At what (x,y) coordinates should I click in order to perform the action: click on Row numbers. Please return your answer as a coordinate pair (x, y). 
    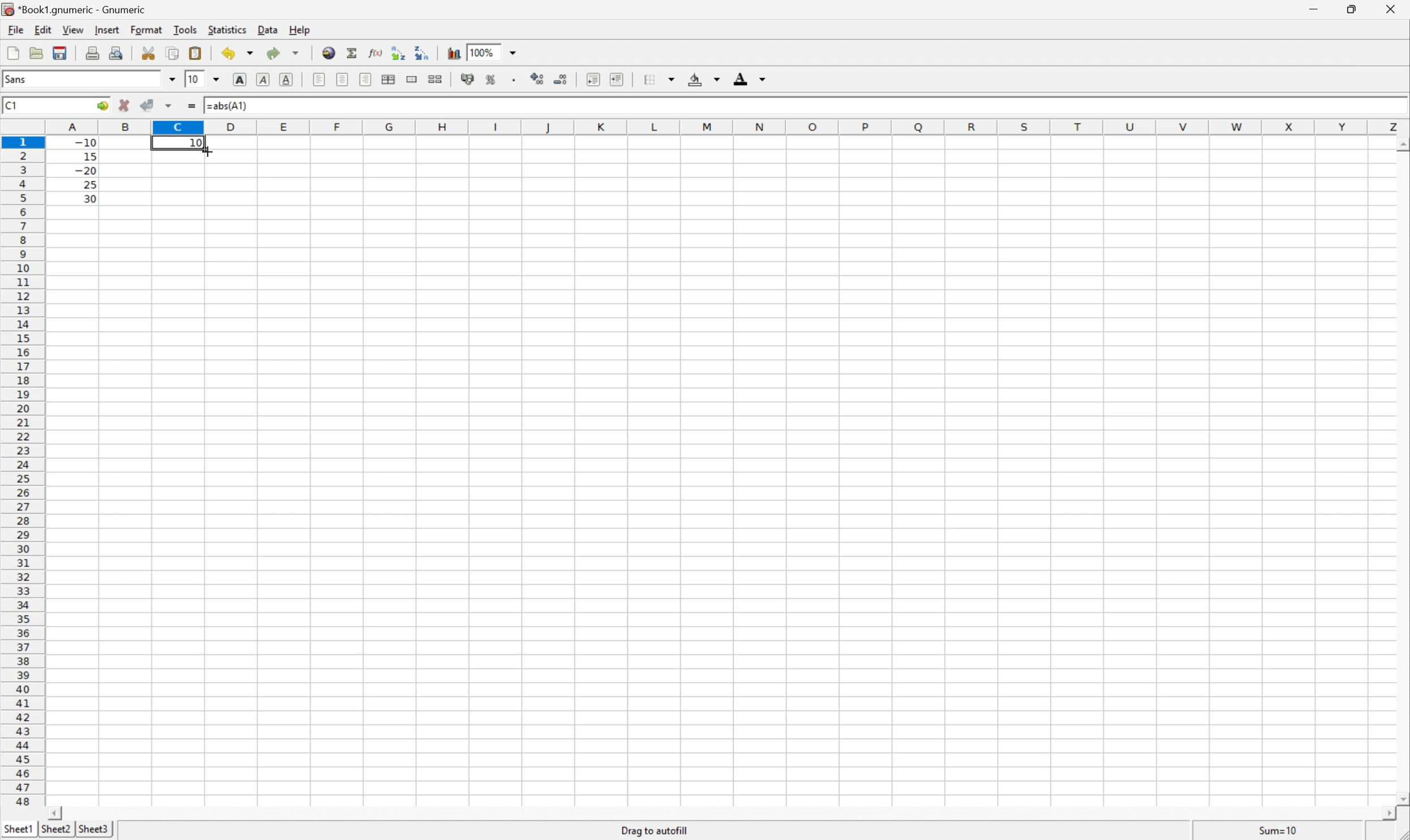
    Looking at the image, I should click on (23, 474).